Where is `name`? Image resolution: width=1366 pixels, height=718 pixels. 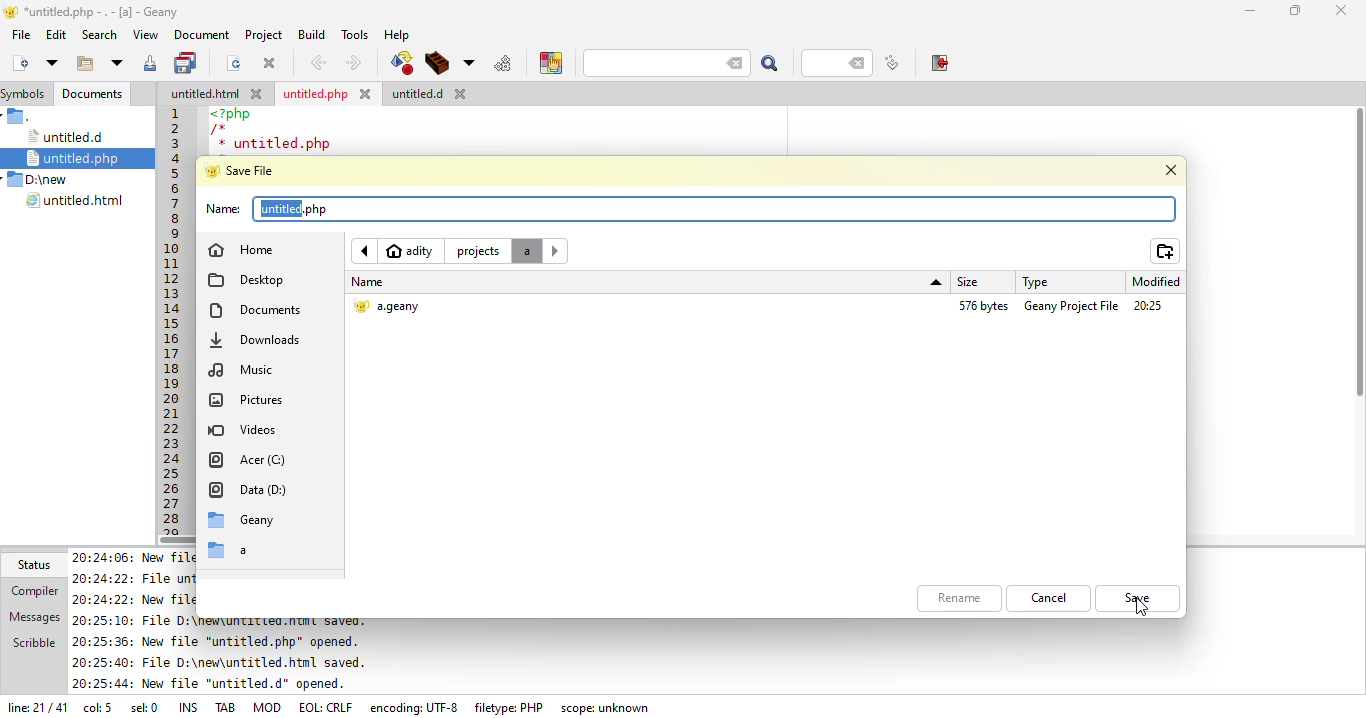
name is located at coordinates (368, 282).